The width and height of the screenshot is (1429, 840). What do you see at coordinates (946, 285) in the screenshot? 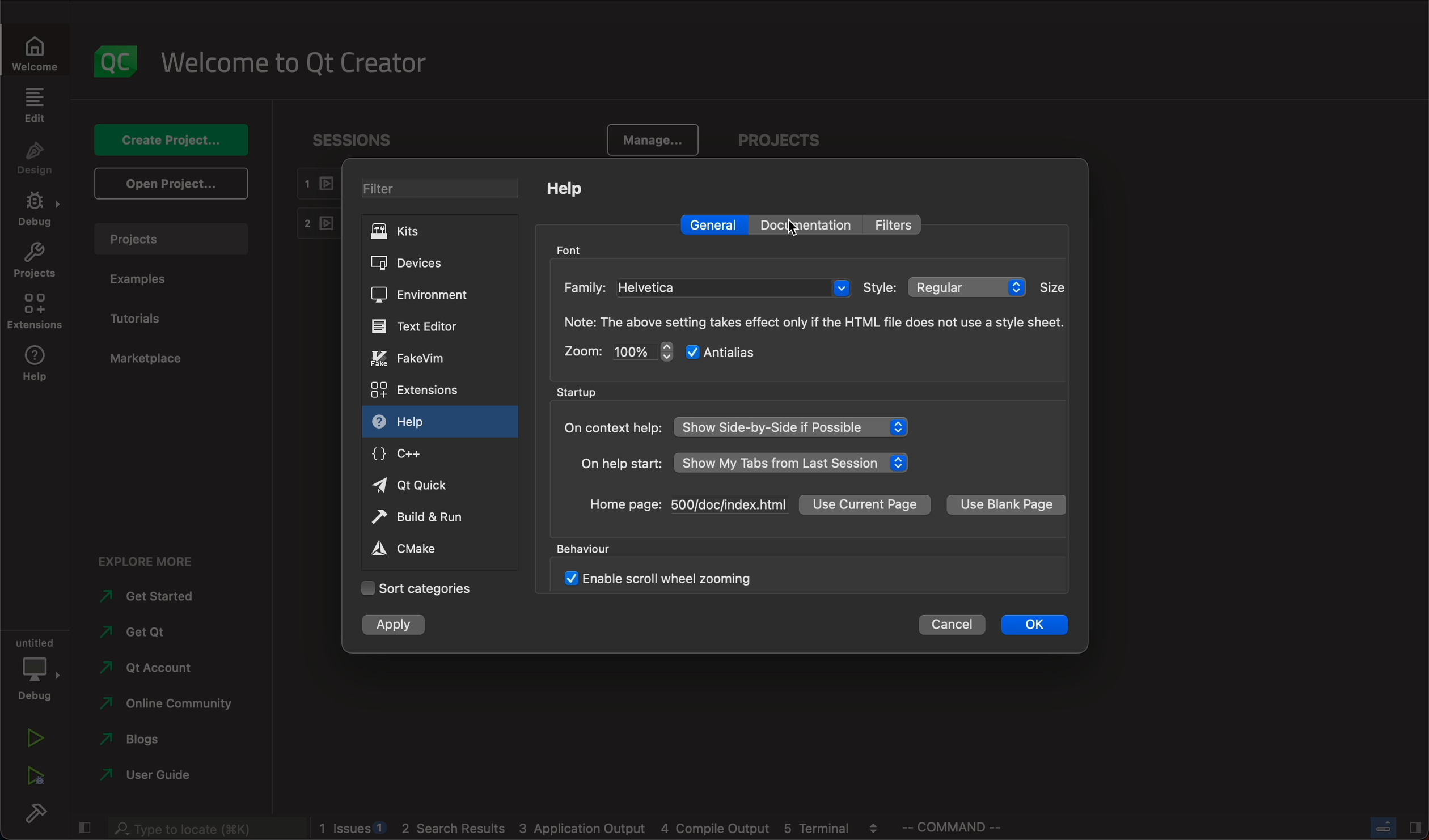
I see `style` at bounding box center [946, 285].